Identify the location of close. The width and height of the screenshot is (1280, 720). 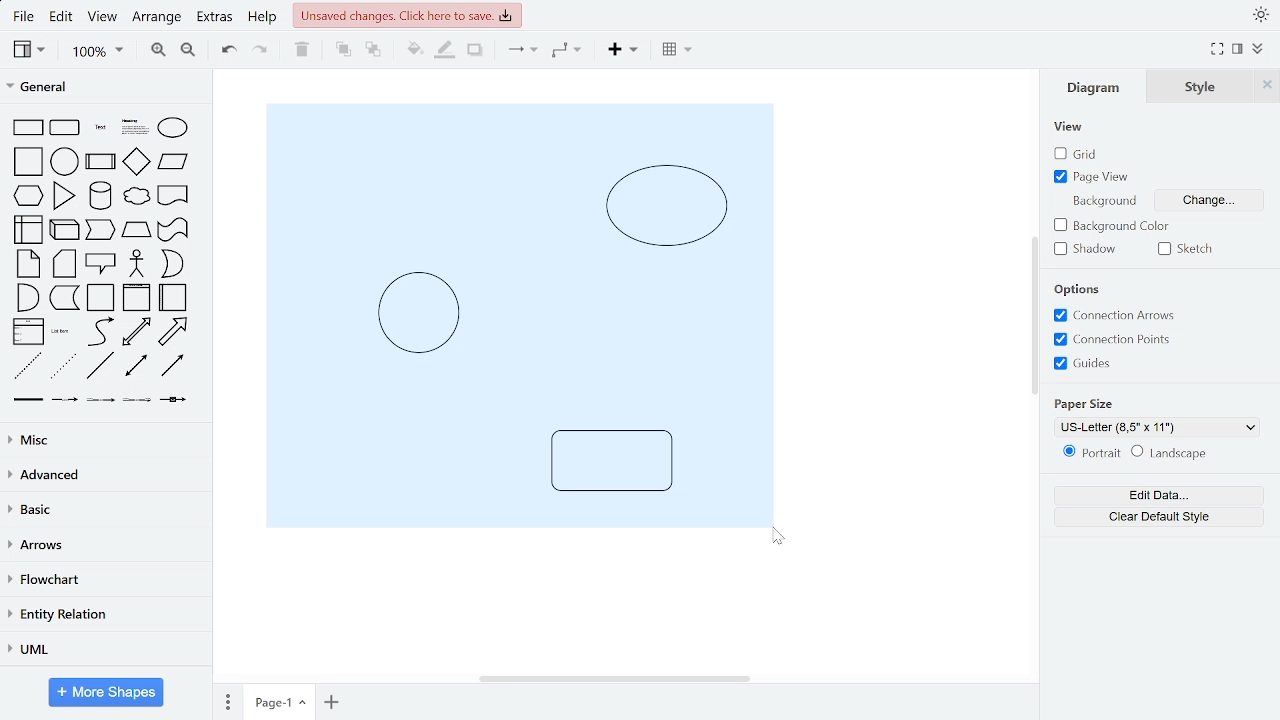
(1269, 86).